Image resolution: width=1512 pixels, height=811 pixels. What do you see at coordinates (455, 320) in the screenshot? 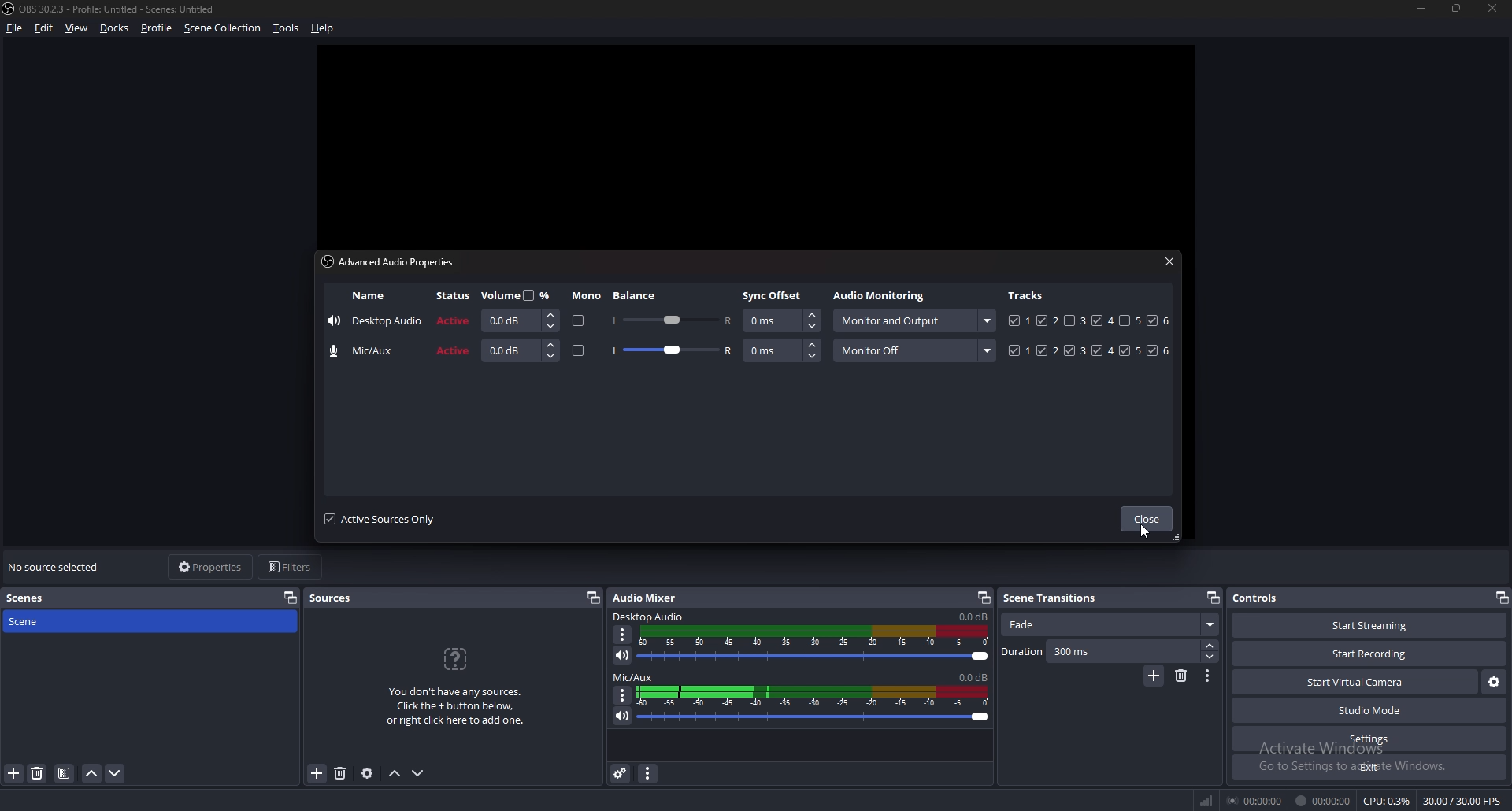
I see `active` at bounding box center [455, 320].